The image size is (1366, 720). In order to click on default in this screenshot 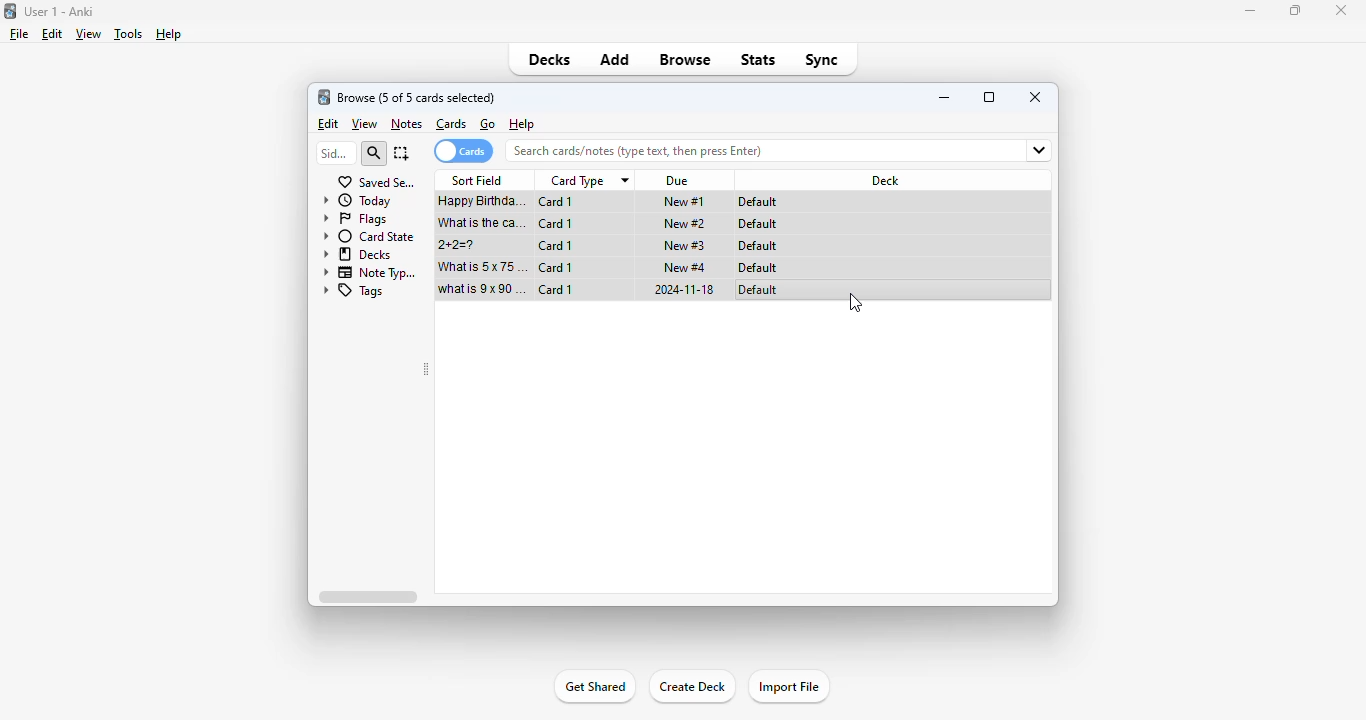, I will do `click(758, 268)`.